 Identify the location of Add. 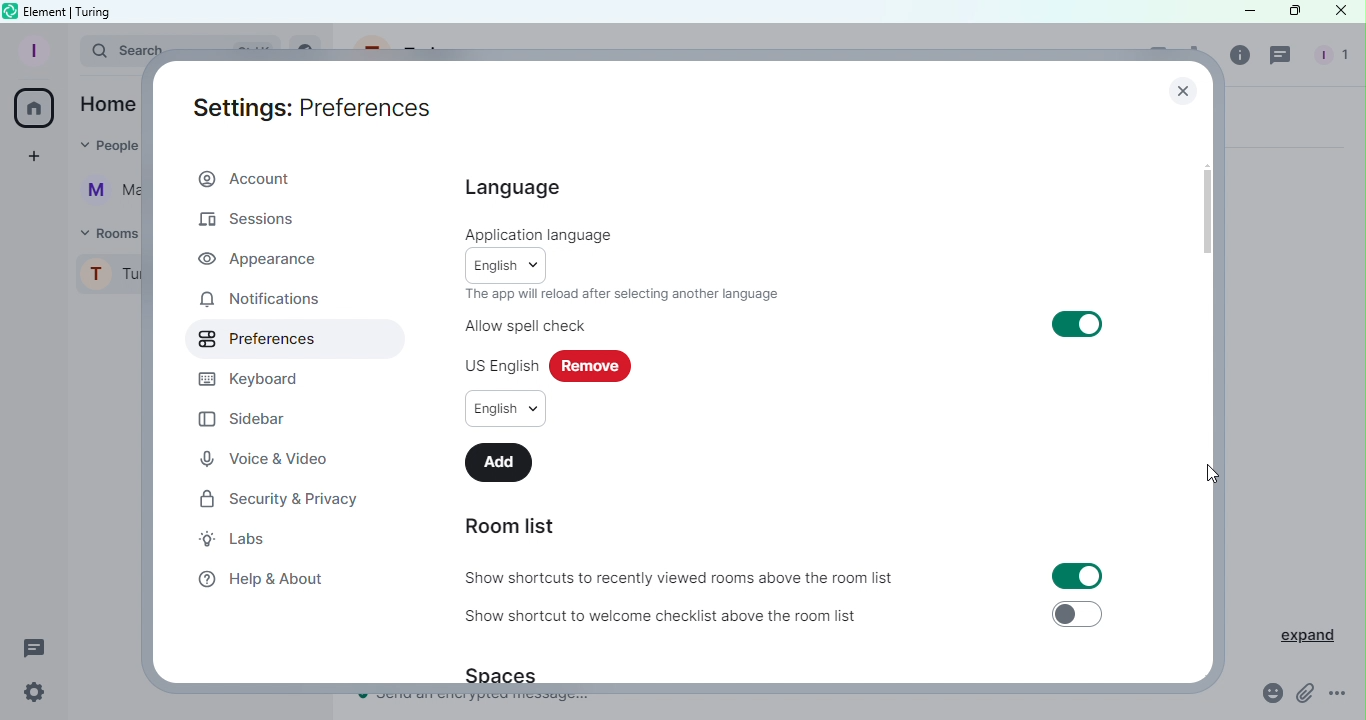
(499, 462).